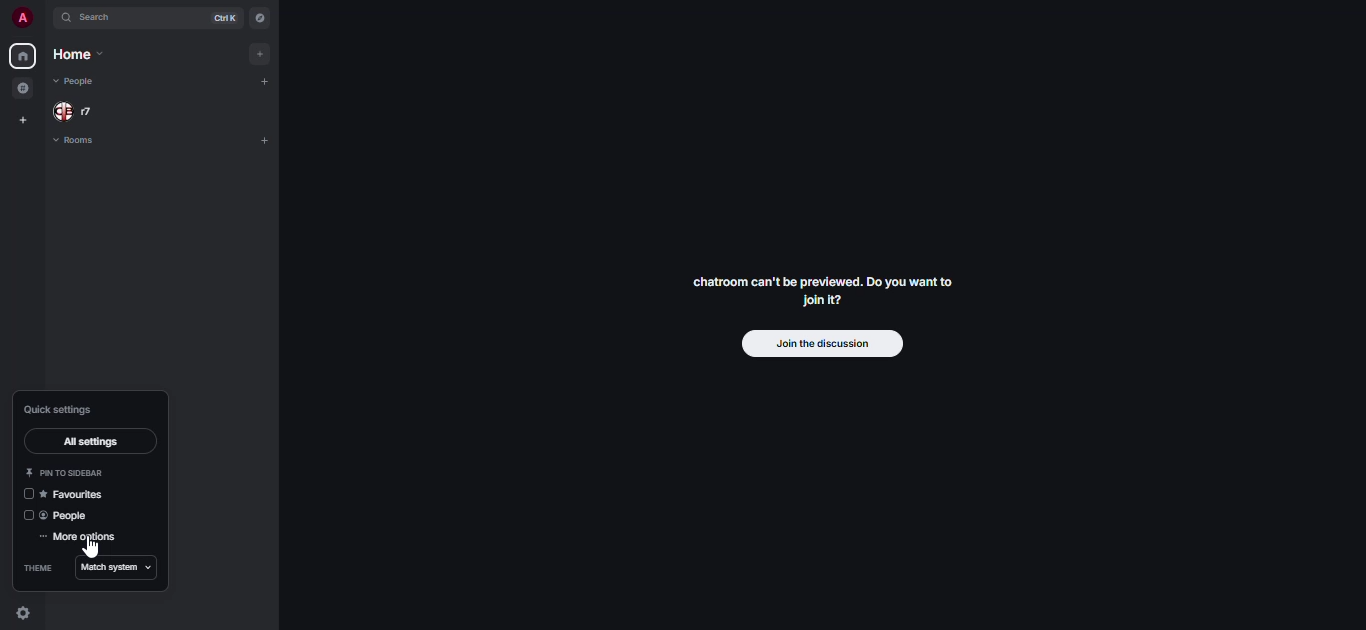 This screenshot has height=630, width=1366. I want to click on cursor, so click(92, 551).